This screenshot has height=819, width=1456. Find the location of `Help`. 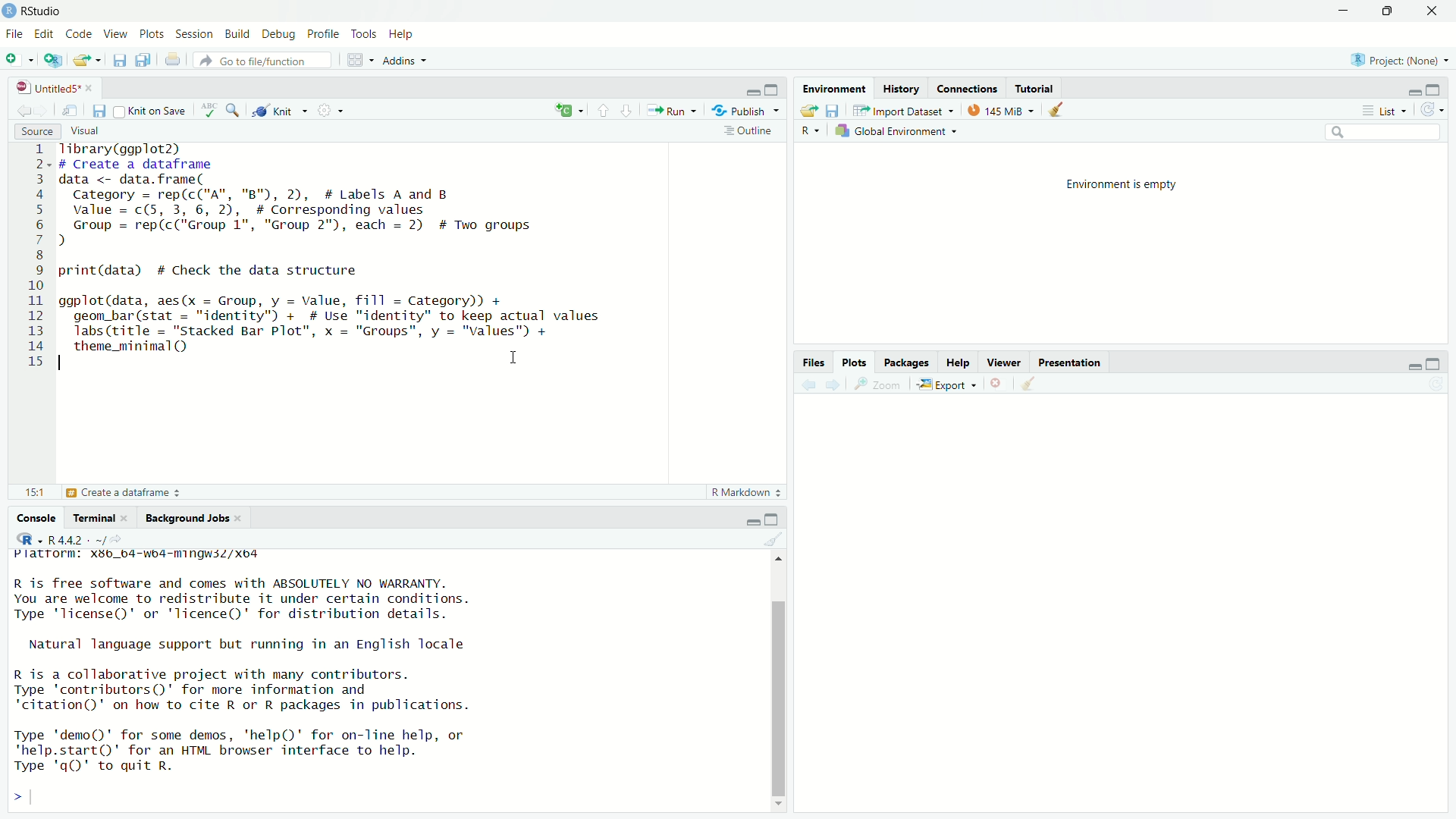

Help is located at coordinates (400, 34).